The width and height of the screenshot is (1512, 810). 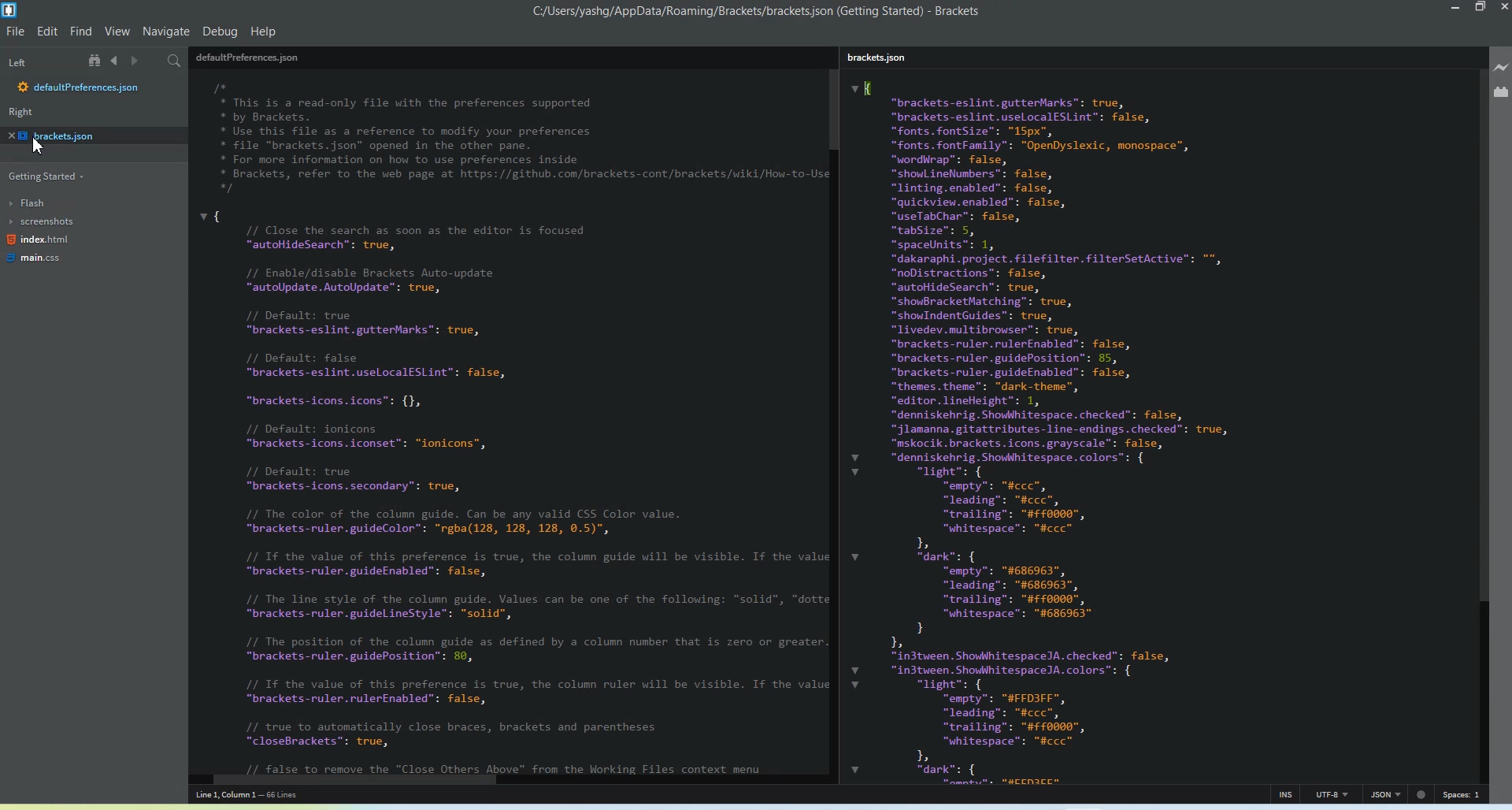 I want to click on Help, so click(x=263, y=31).